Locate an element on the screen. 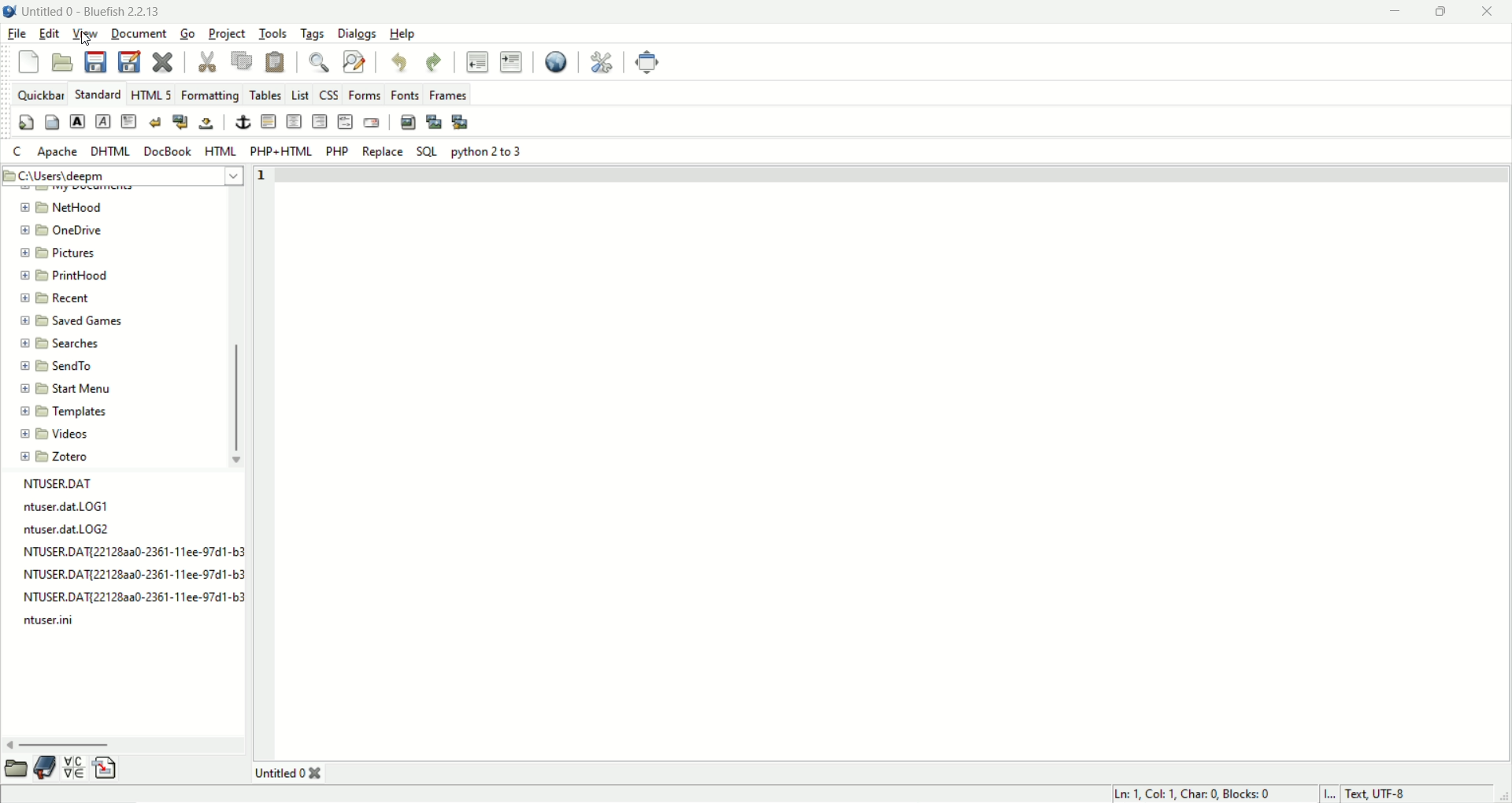 The height and width of the screenshot is (803, 1512). printhood is located at coordinates (67, 276).